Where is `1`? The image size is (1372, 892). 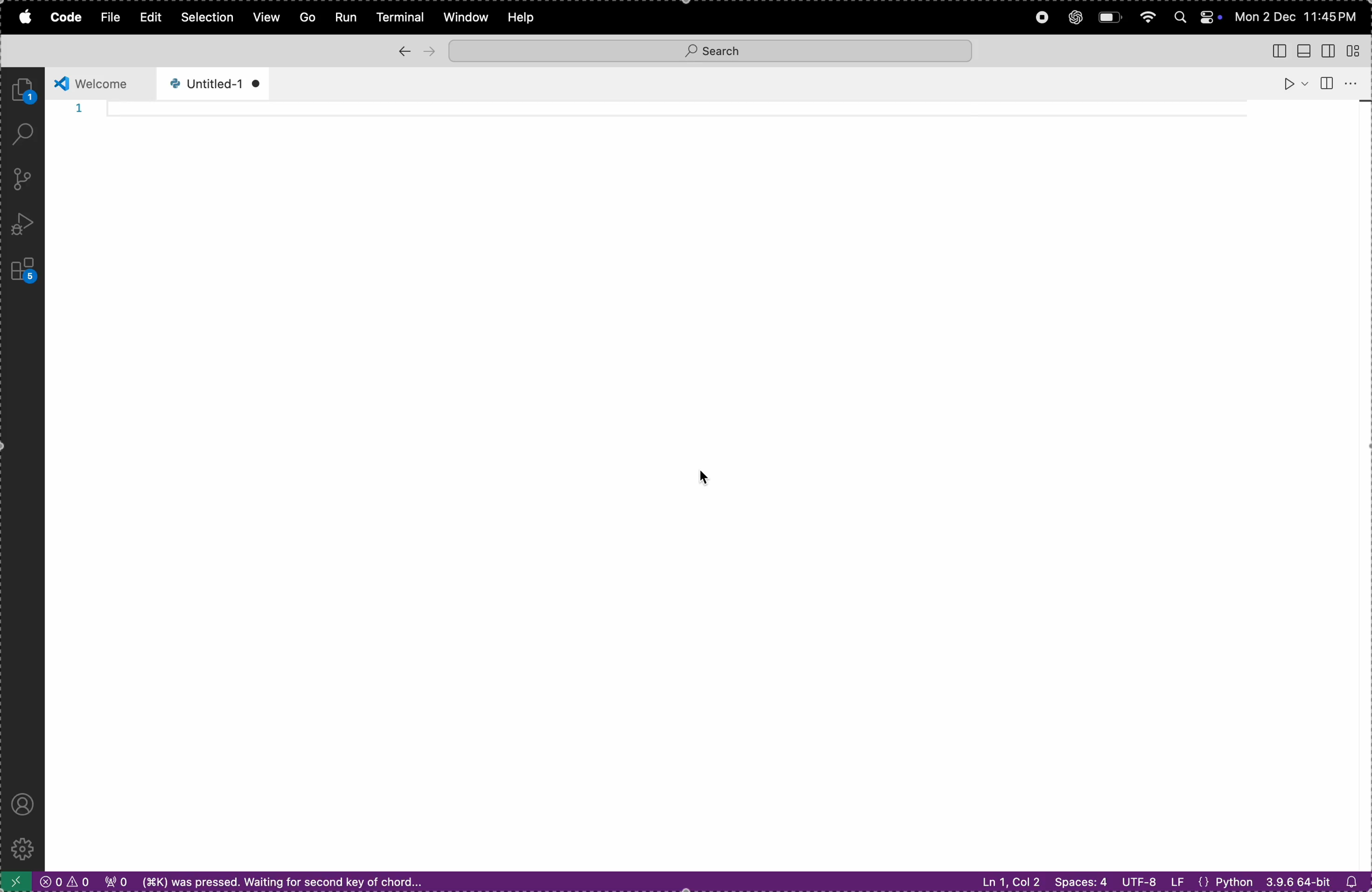 1 is located at coordinates (78, 109).